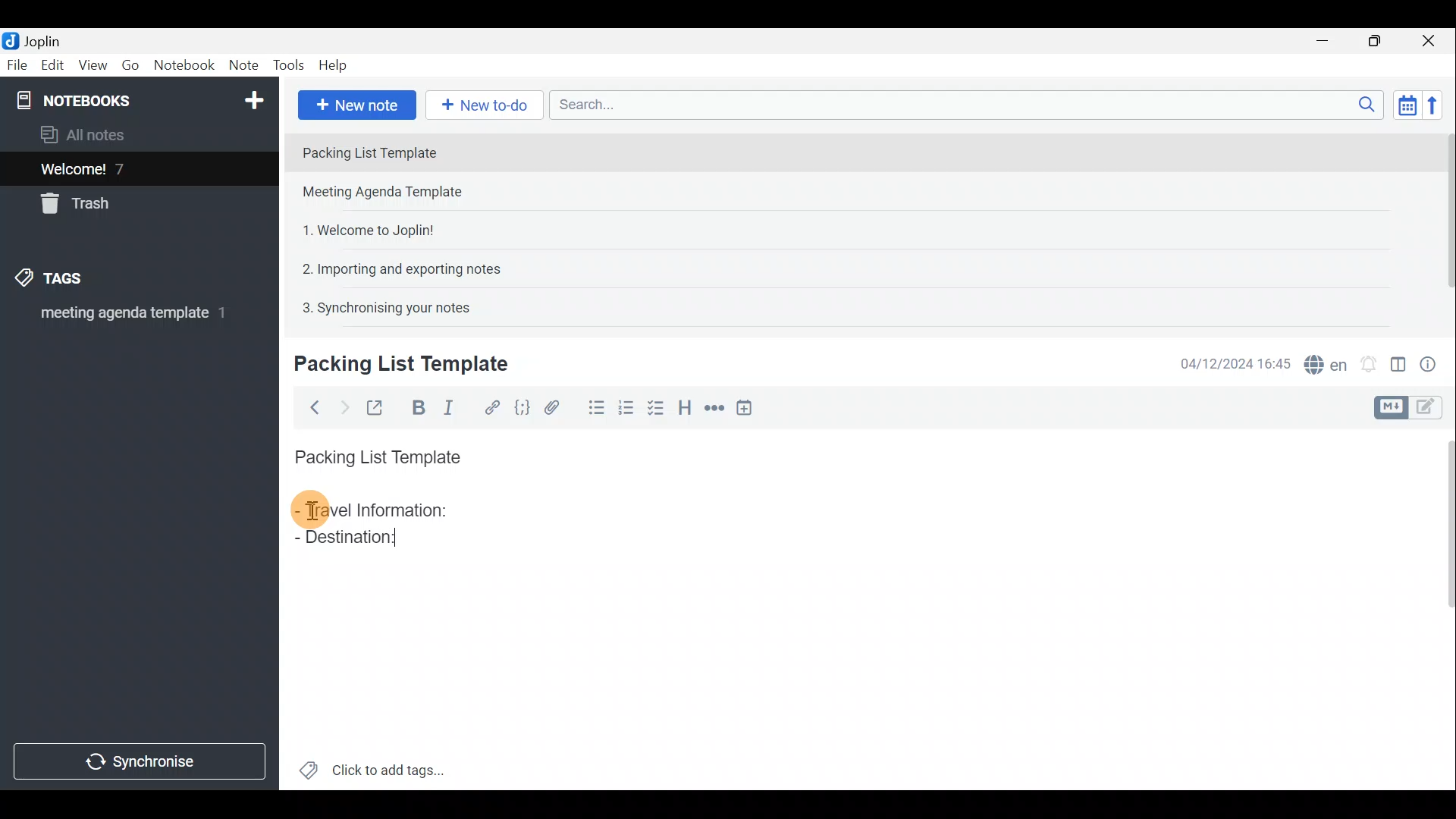 The image size is (1456, 819). What do you see at coordinates (485, 105) in the screenshot?
I see `New to-do` at bounding box center [485, 105].